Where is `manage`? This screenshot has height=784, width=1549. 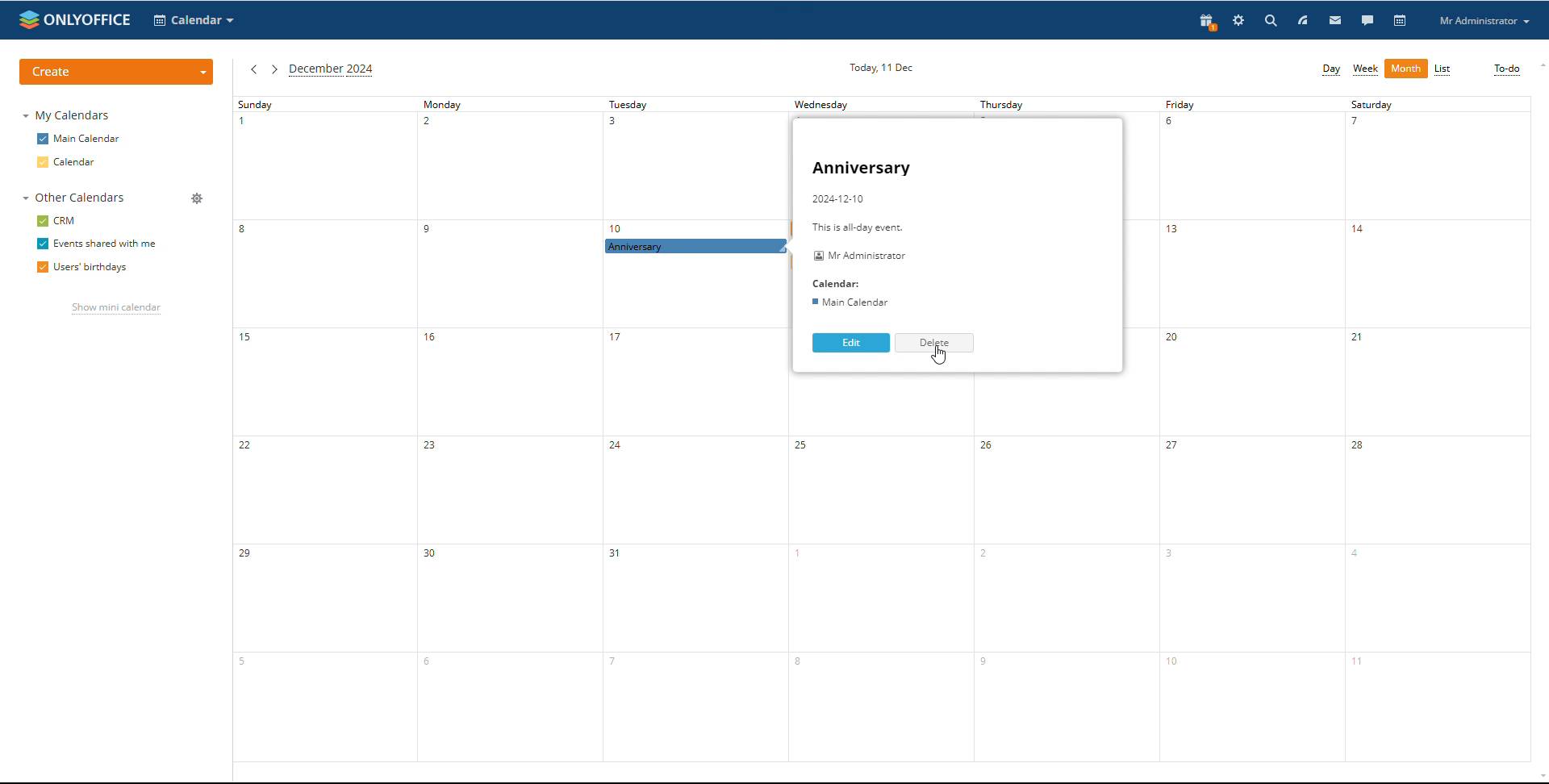
manage is located at coordinates (196, 198).